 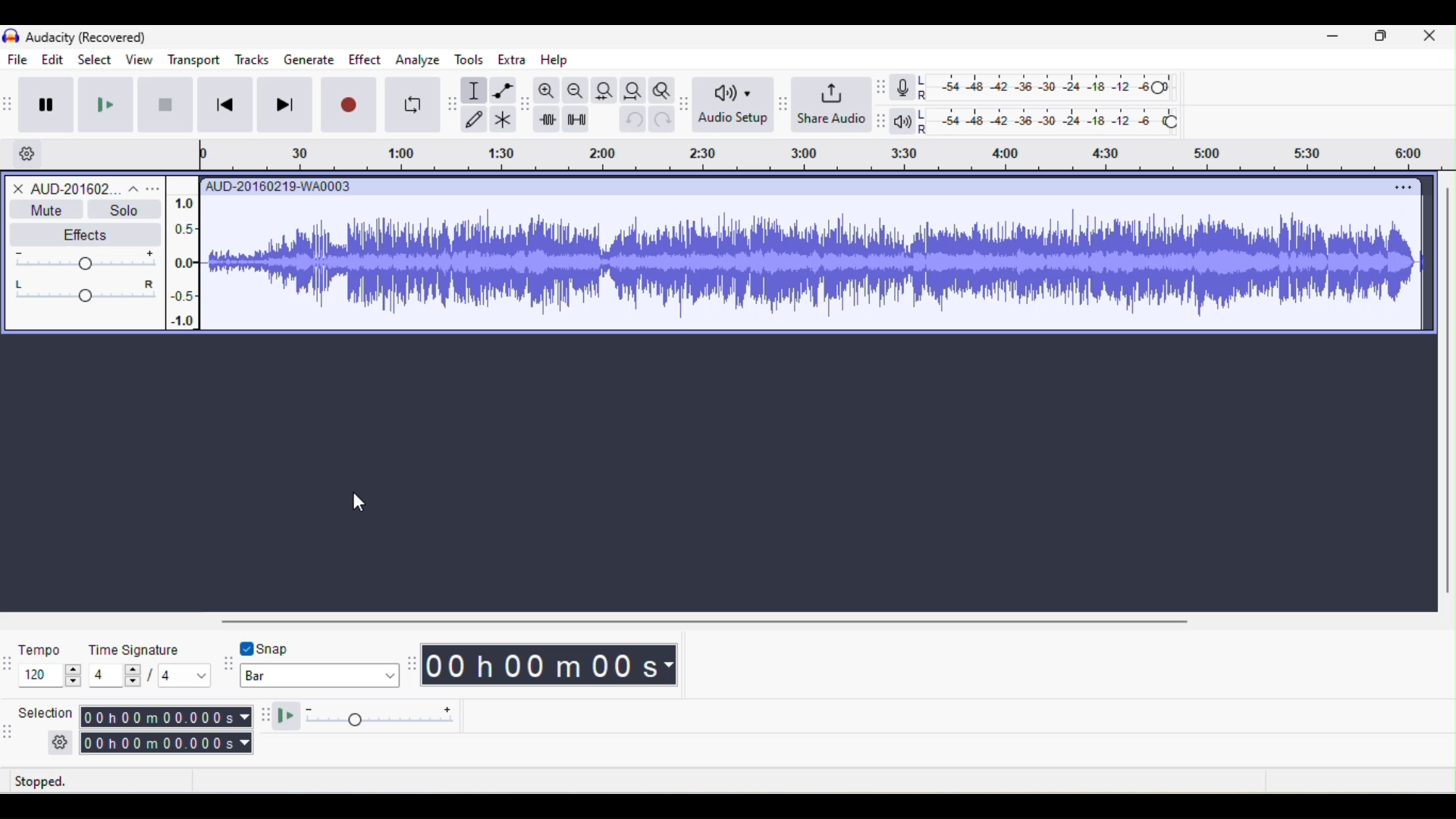 What do you see at coordinates (351, 503) in the screenshot?
I see `cursor` at bounding box center [351, 503].